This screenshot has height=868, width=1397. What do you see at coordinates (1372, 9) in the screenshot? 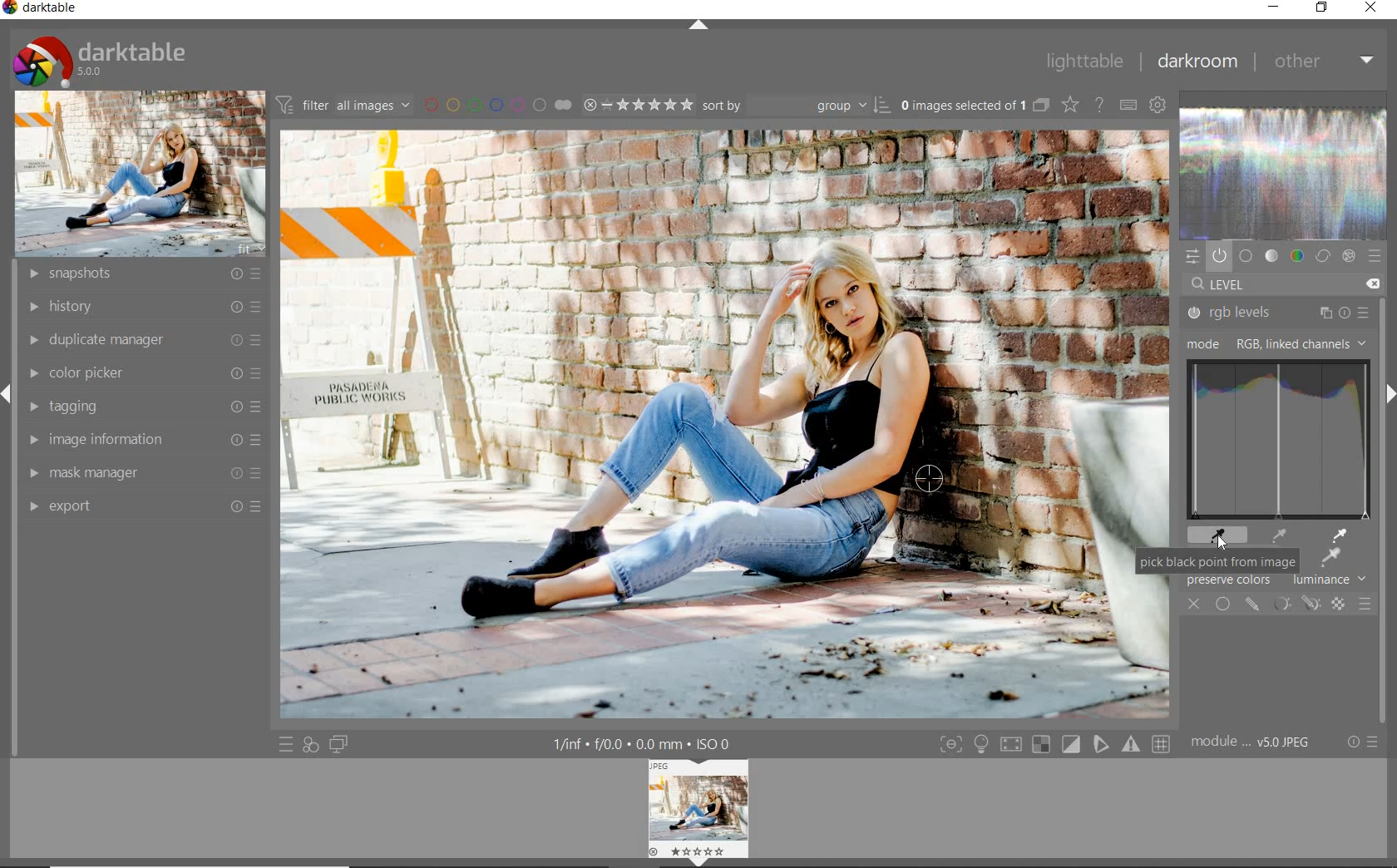
I see `close` at bounding box center [1372, 9].